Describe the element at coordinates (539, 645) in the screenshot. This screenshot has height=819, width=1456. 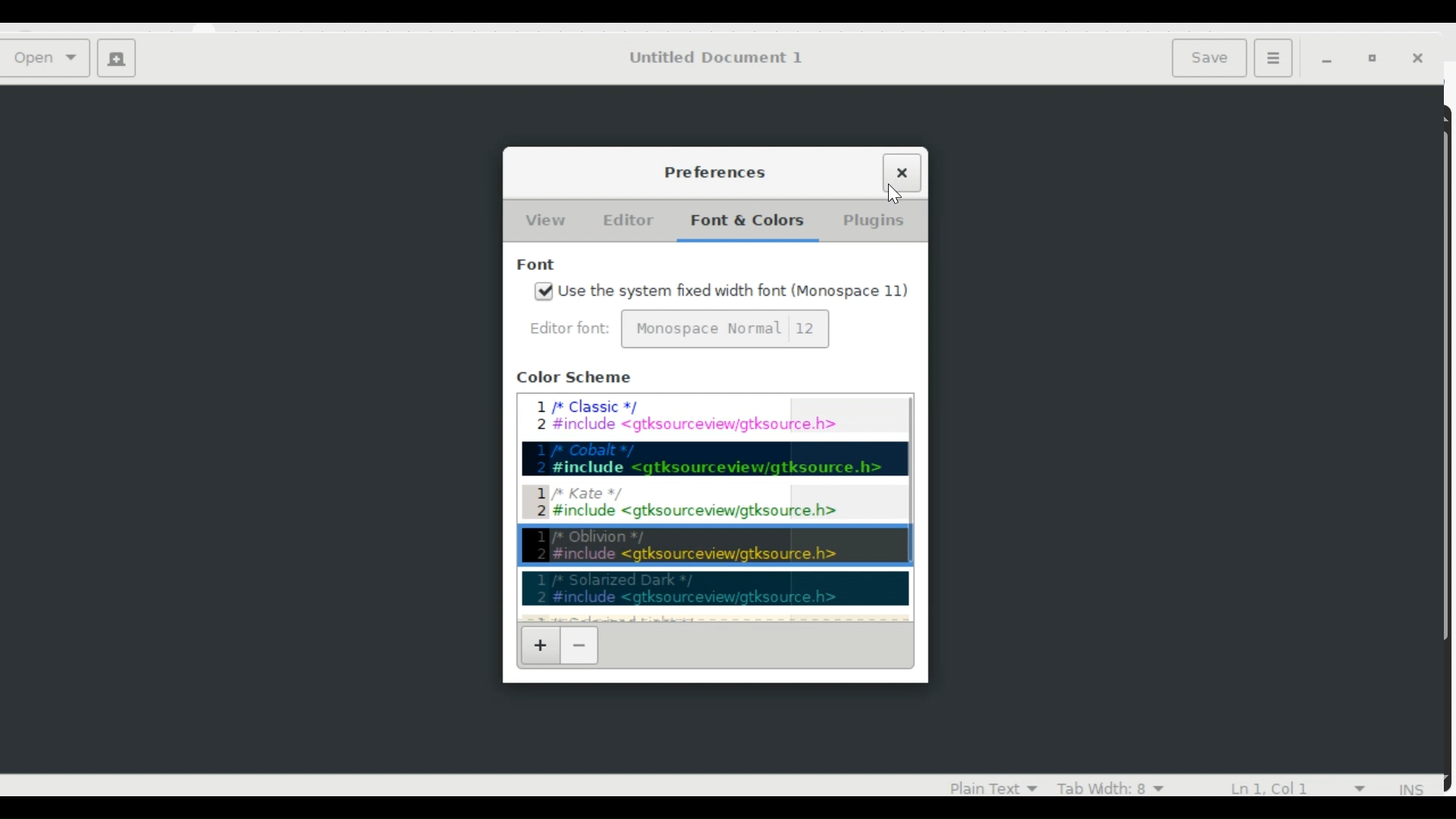
I see `Add a new color scheme` at that location.